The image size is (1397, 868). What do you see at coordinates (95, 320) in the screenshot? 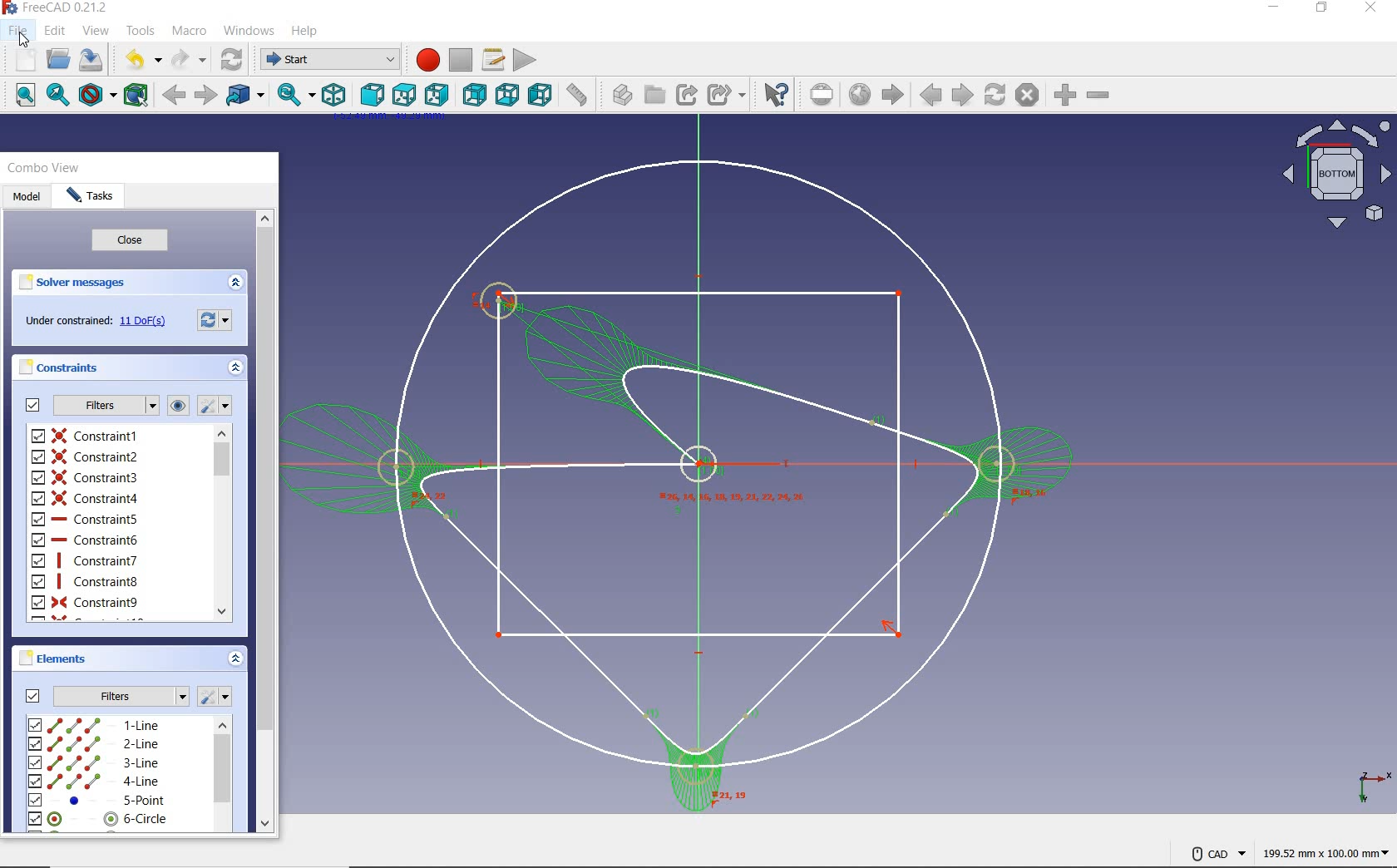
I see `under constrained` at bounding box center [95, 320].